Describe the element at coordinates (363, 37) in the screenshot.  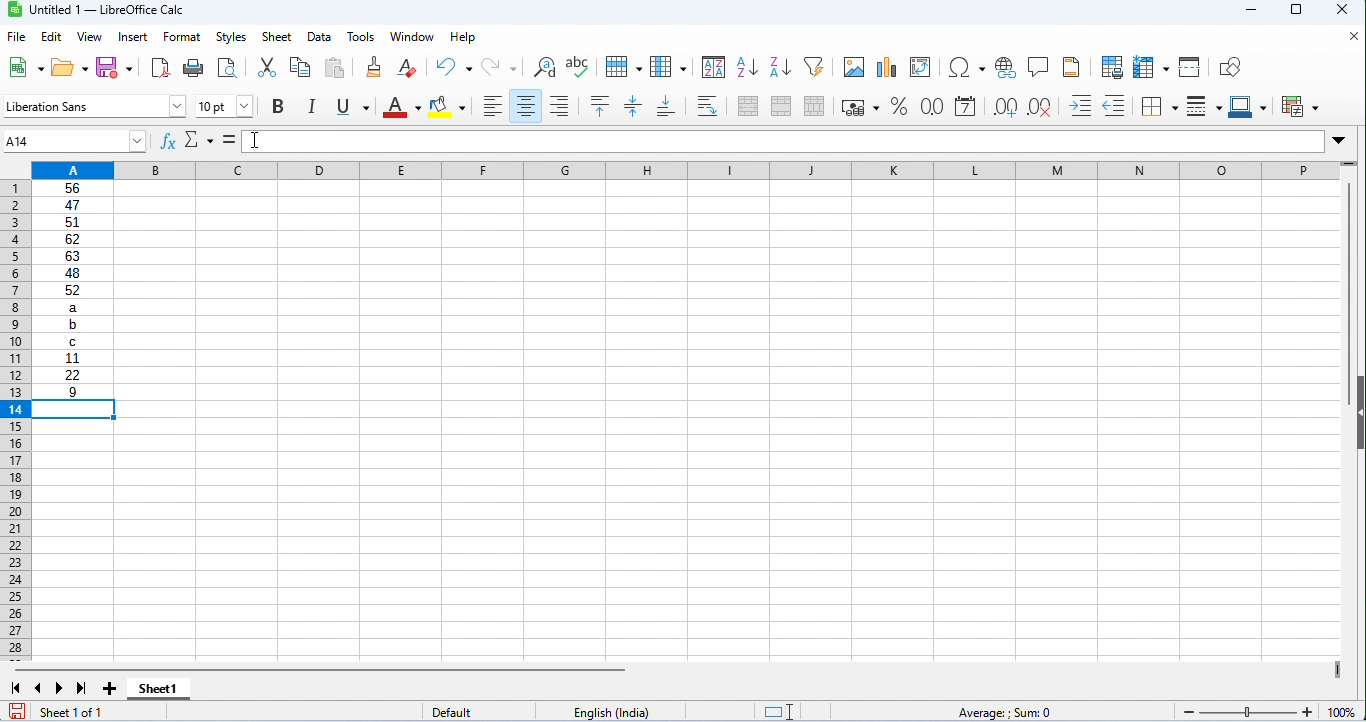
I see `tools` at that location.